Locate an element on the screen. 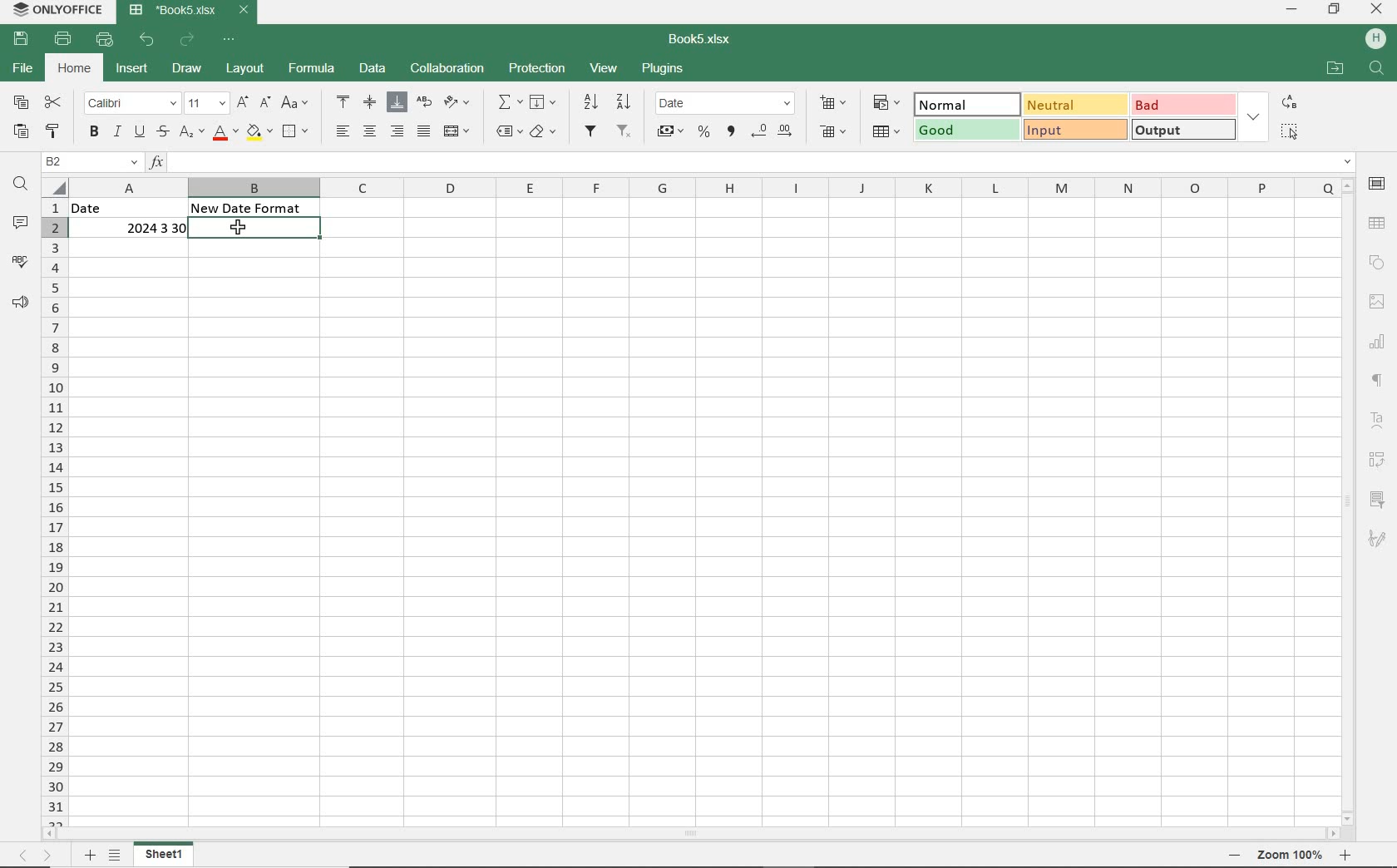 This screenshot has width=1397, height=868. FIND is located at coordinates (1378, 70).